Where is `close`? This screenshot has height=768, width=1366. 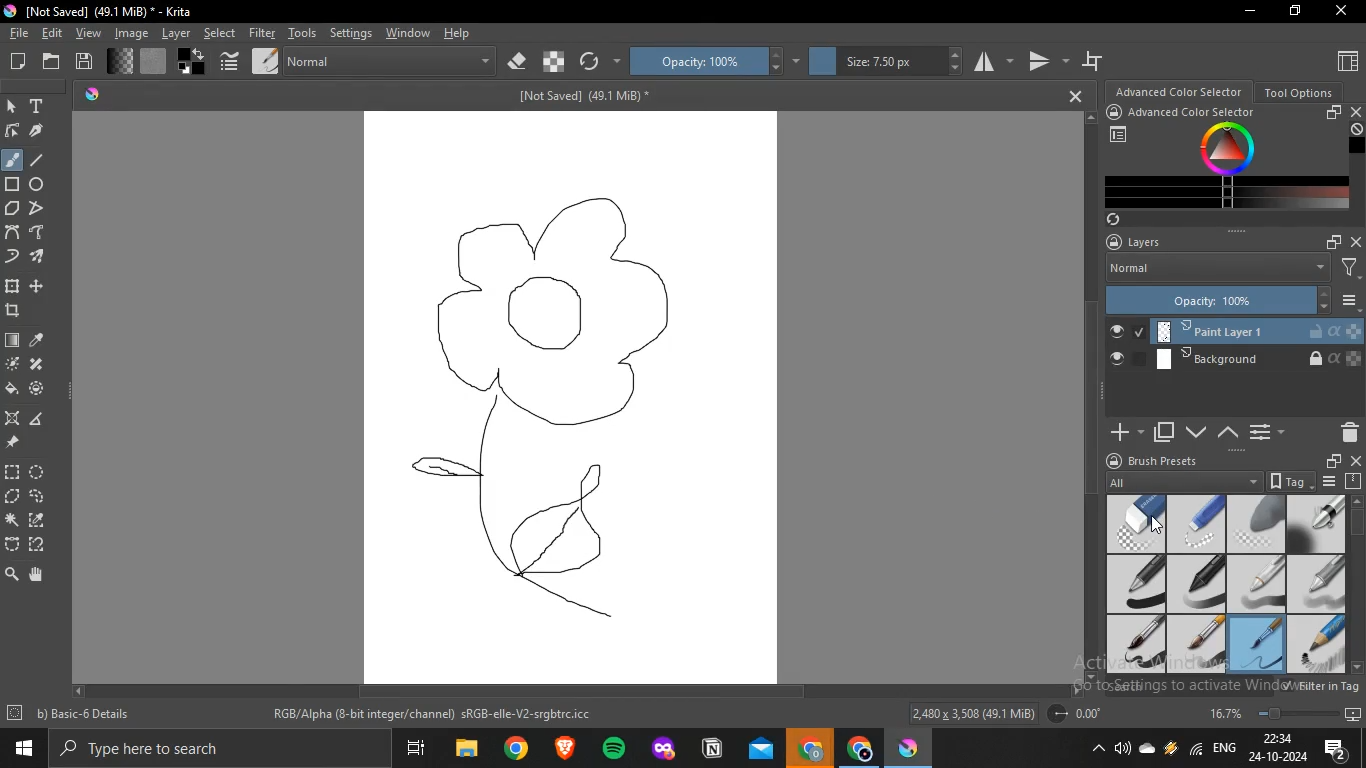 close is located at coordinates (1357, 461).